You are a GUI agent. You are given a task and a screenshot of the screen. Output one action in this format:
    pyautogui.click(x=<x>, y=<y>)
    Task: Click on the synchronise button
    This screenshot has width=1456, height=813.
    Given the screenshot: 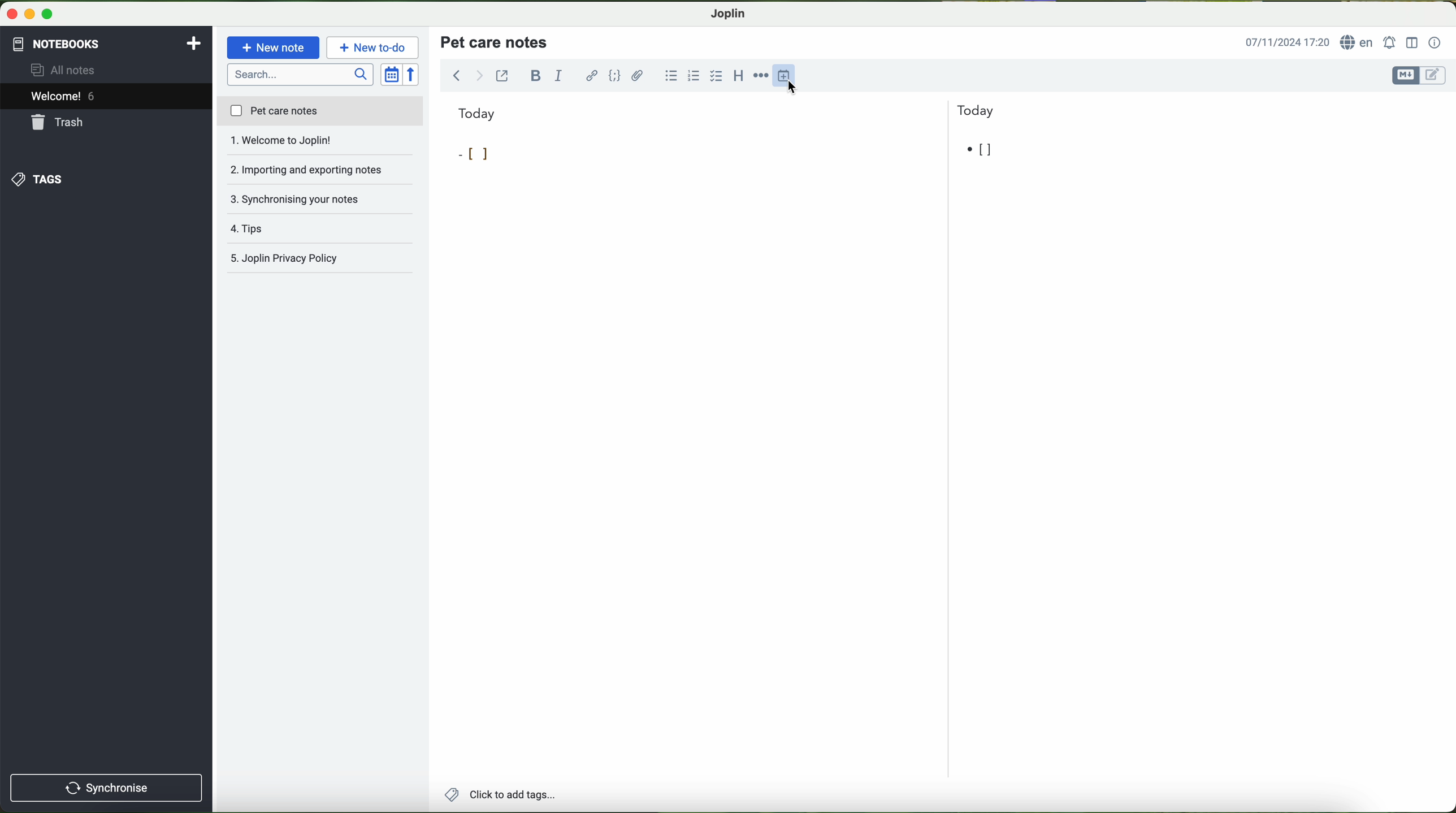 What is the action you would take?
    pyautogui.click(x=106, y=788)
    